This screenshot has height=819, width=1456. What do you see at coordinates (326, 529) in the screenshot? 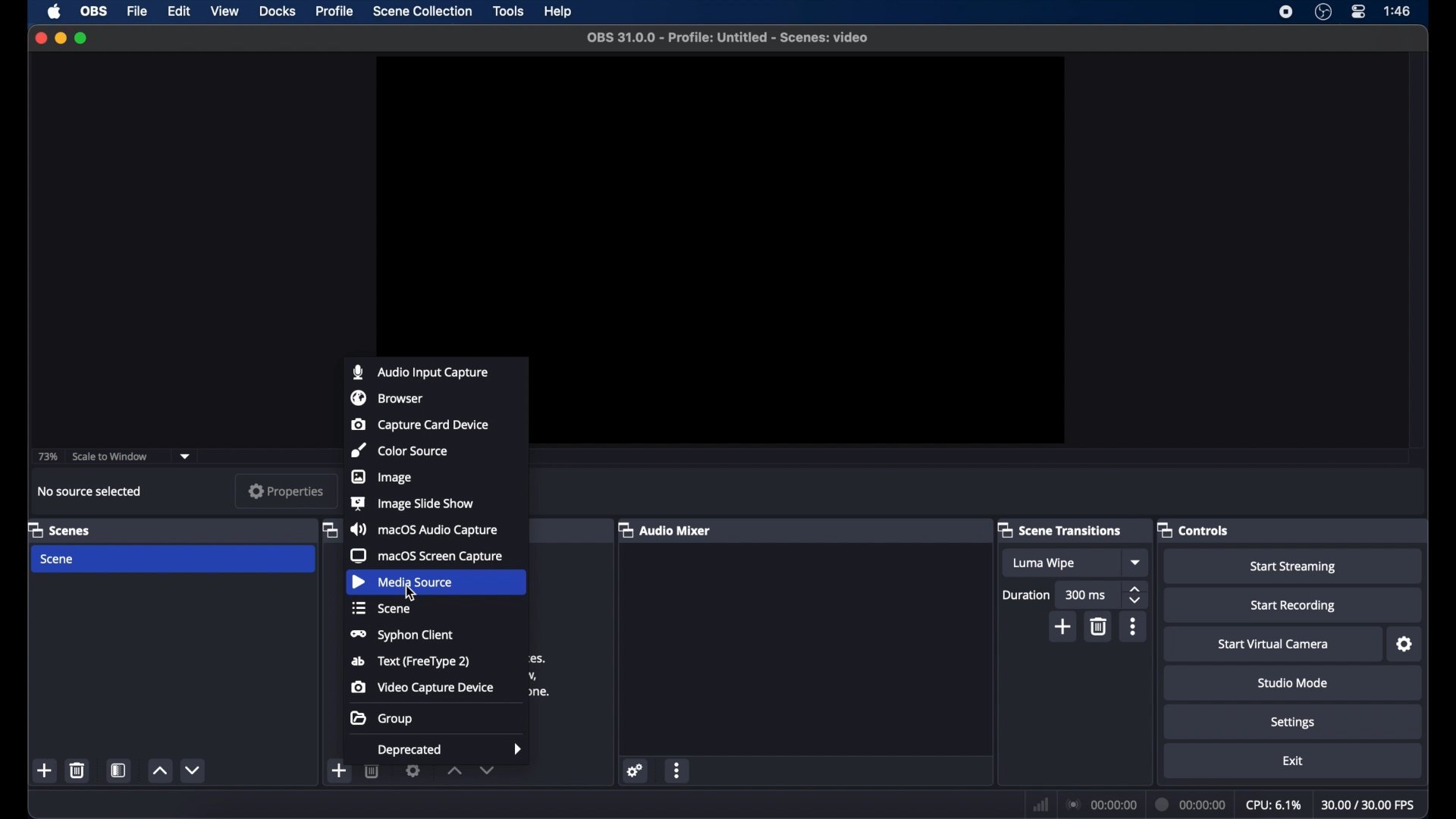
I see `obscure icon` at bounding box center [326, 529].